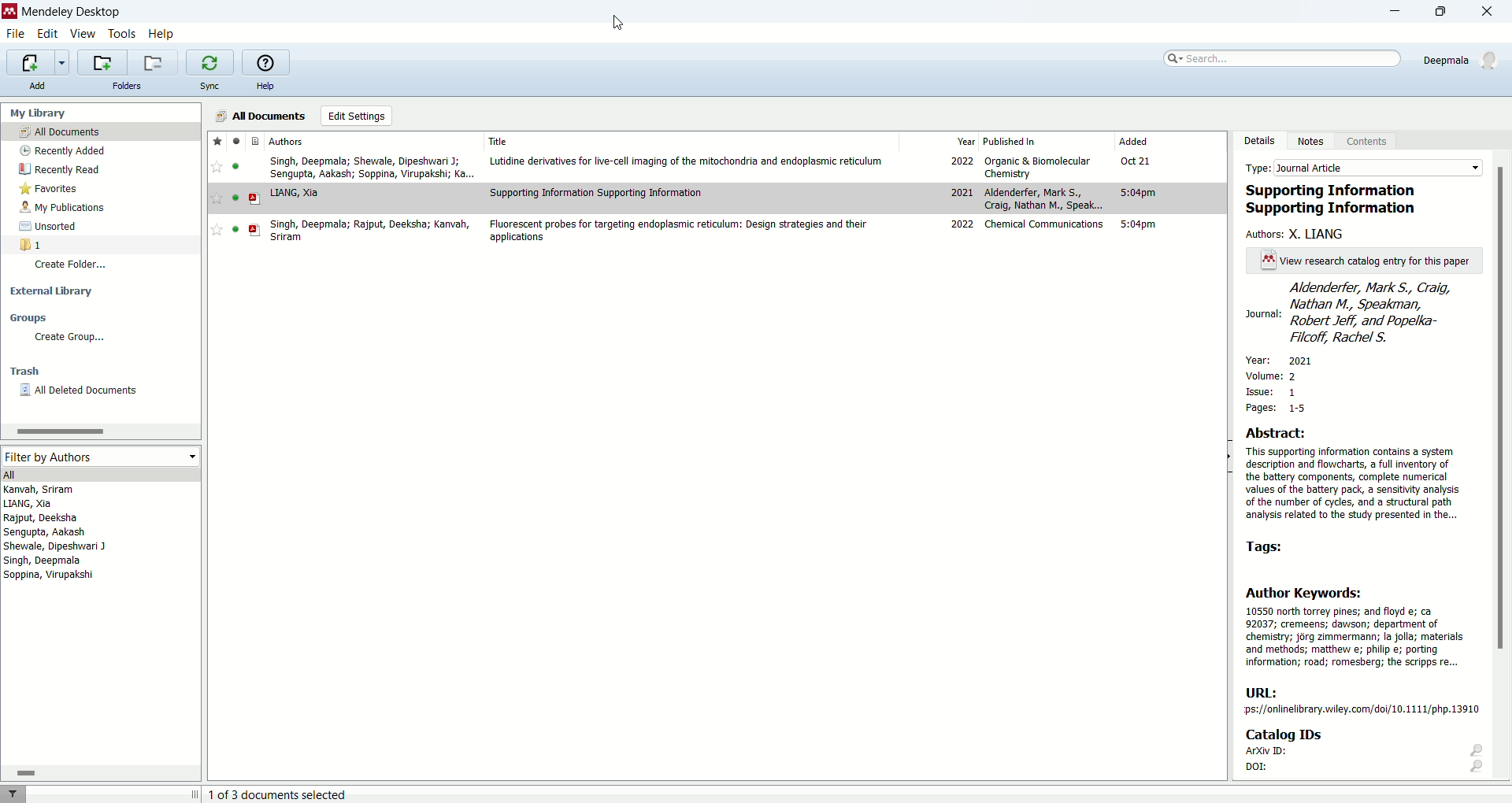 The height and width of the screenshot is (803, 1512). What do you see at coordinates (1314, 142) in the screenshot?
I see `notes` at bounding box center [1314, 142].